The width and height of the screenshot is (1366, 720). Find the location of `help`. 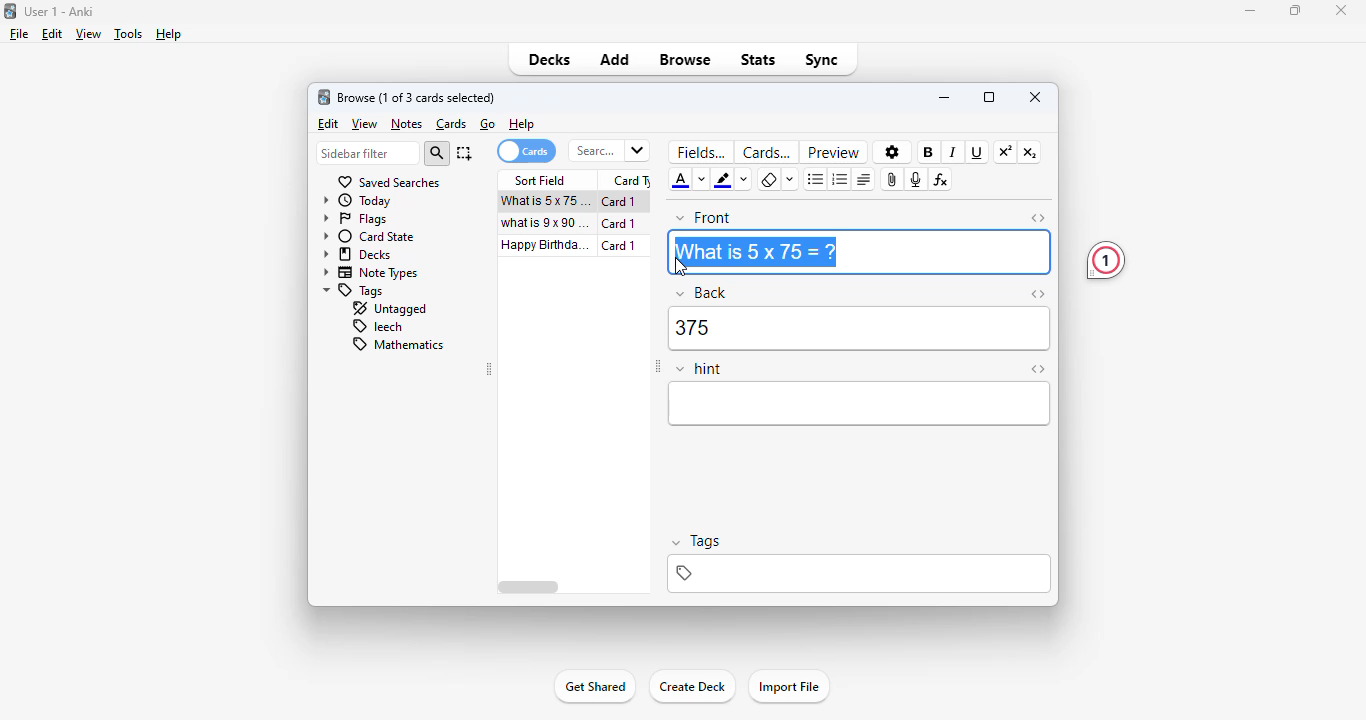

help is located at coordinates (522, 124).